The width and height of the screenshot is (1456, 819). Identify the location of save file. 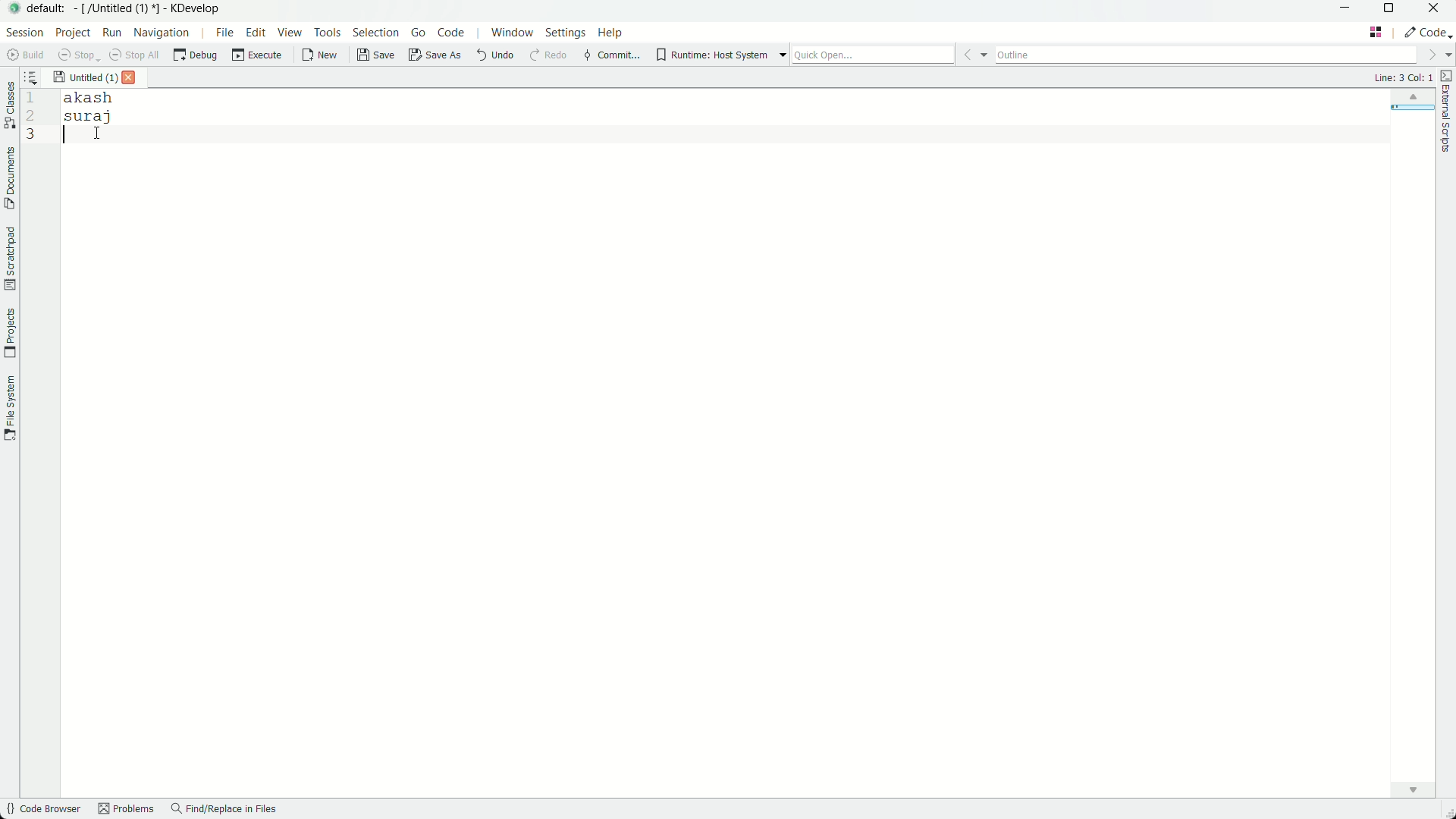
(377, 56).